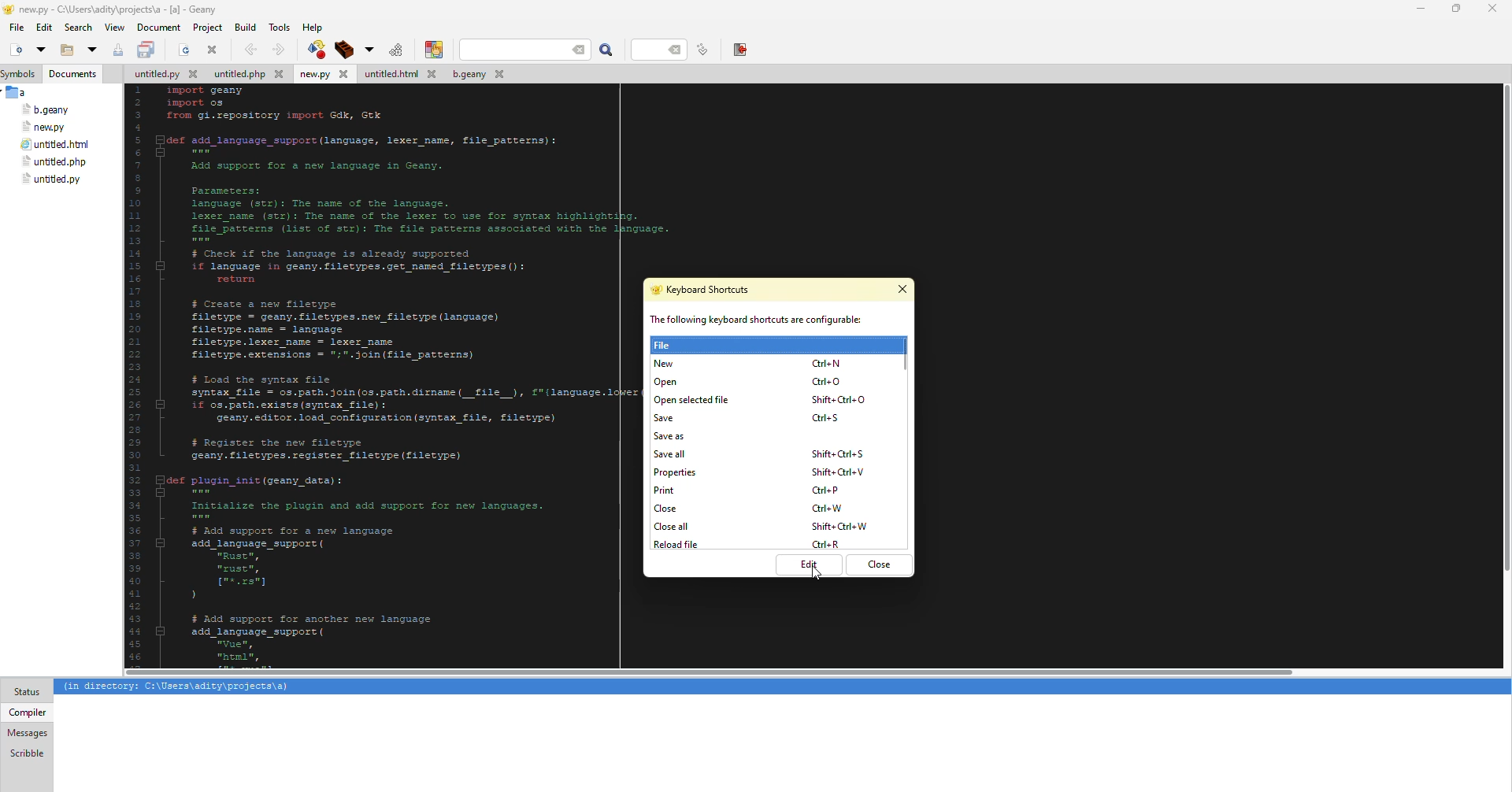 This screenshot has height=792, width=1512. I want to click on shortcut, so click(839, 453).